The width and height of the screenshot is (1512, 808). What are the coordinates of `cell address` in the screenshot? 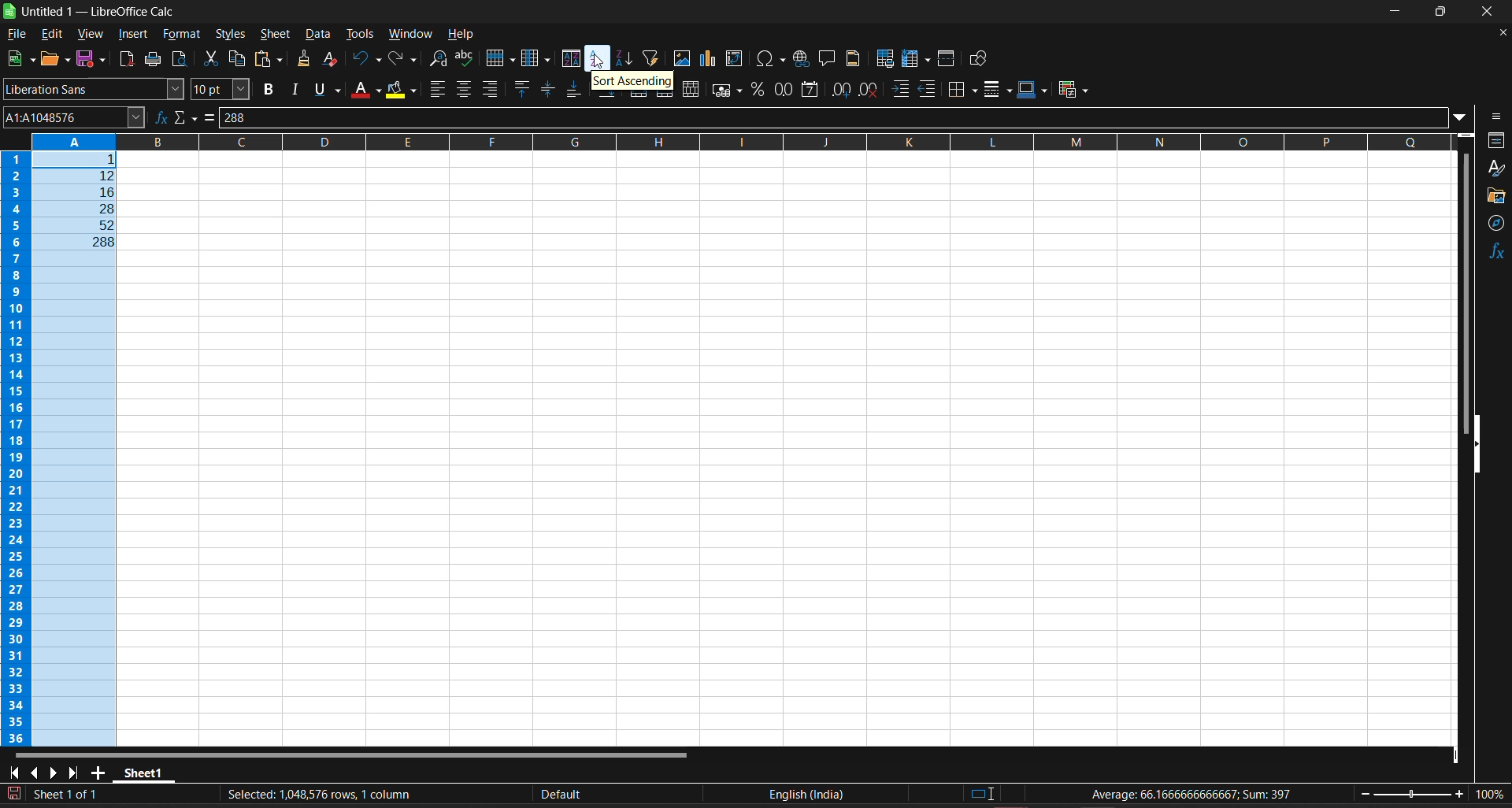 It's located at (73, 118).